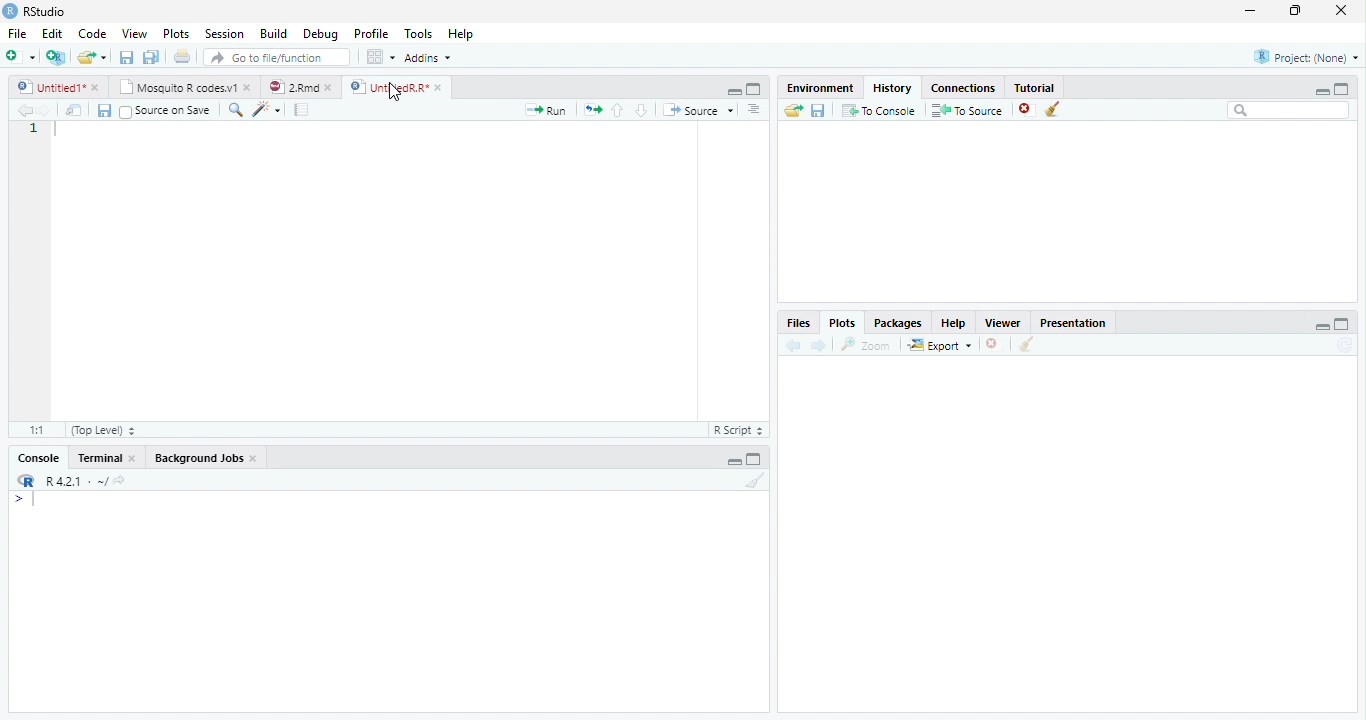  Describe the element at coordinates (223, 34) in the screenshot. I see `Session` at that location.